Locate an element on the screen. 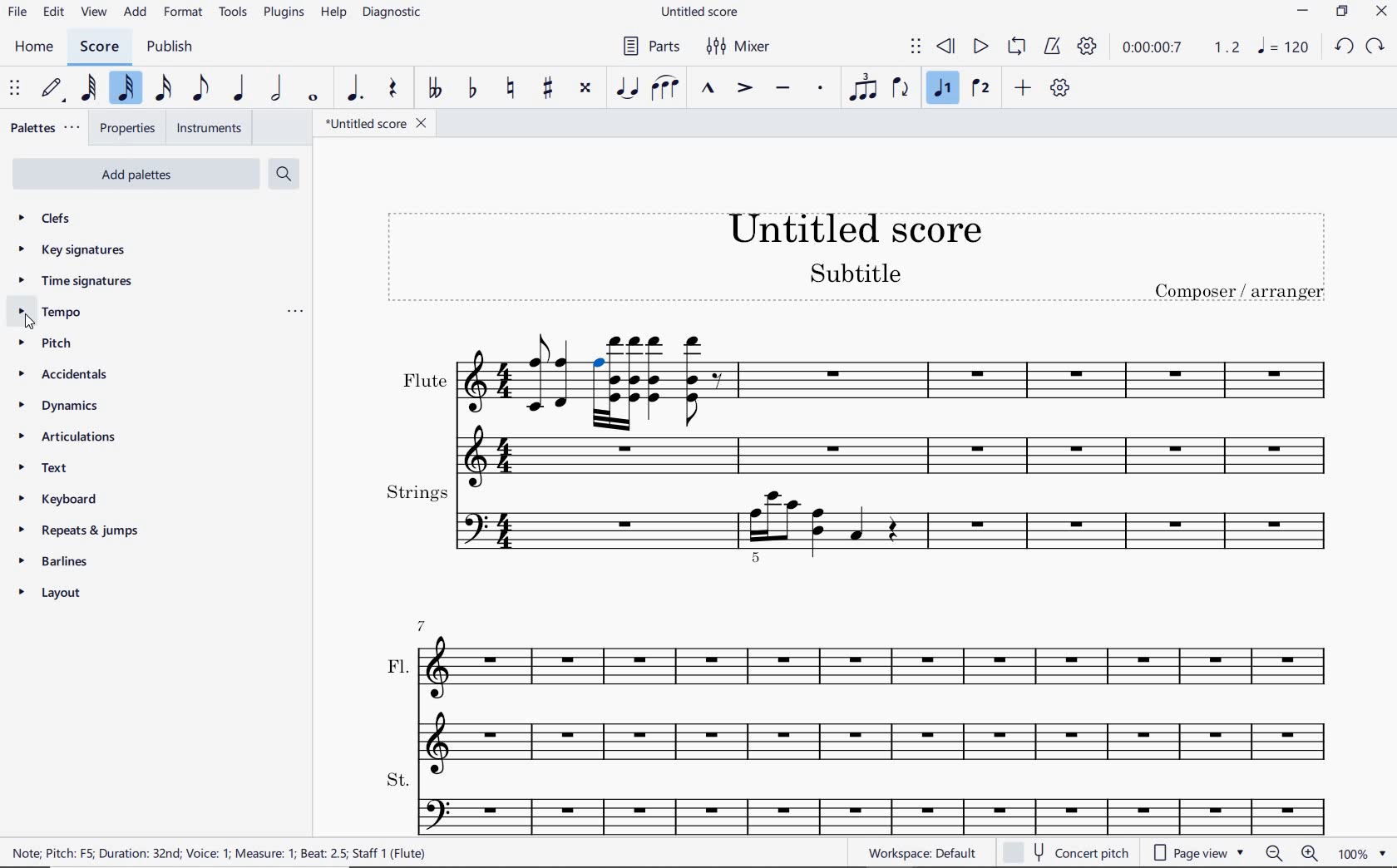  zoom out or zoom in is located at coordinates (1291, 854).